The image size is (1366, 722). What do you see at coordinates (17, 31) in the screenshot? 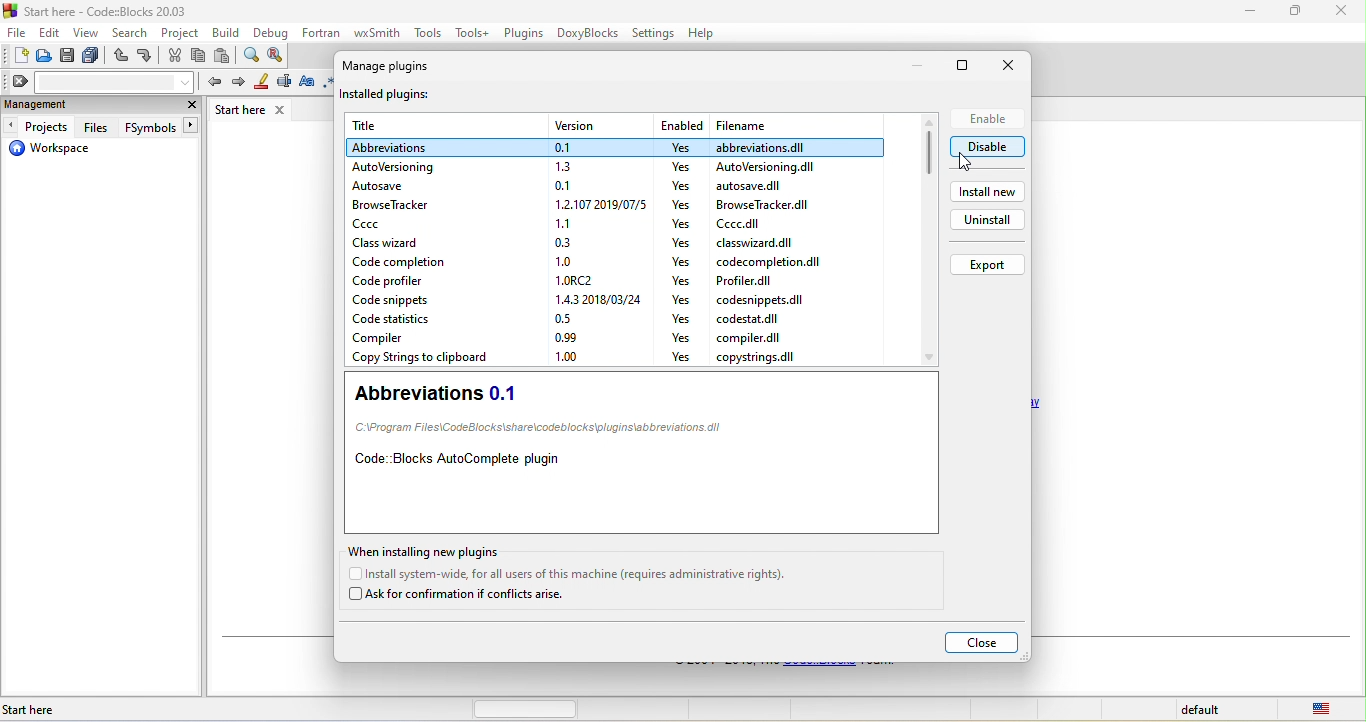
I see `file` at bounding box center [17, 31].